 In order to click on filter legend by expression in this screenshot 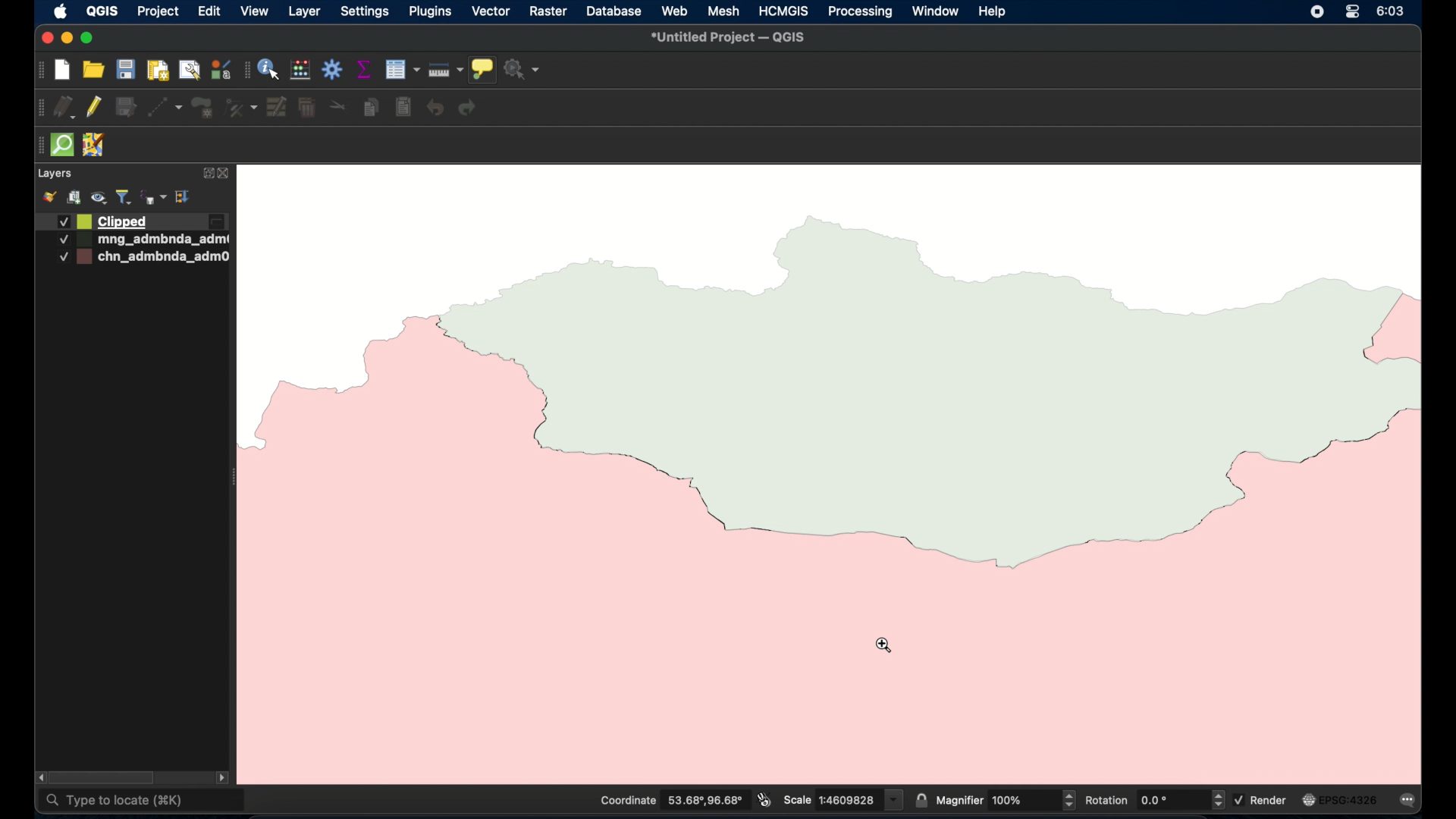, I will do `click(155, 197)`.